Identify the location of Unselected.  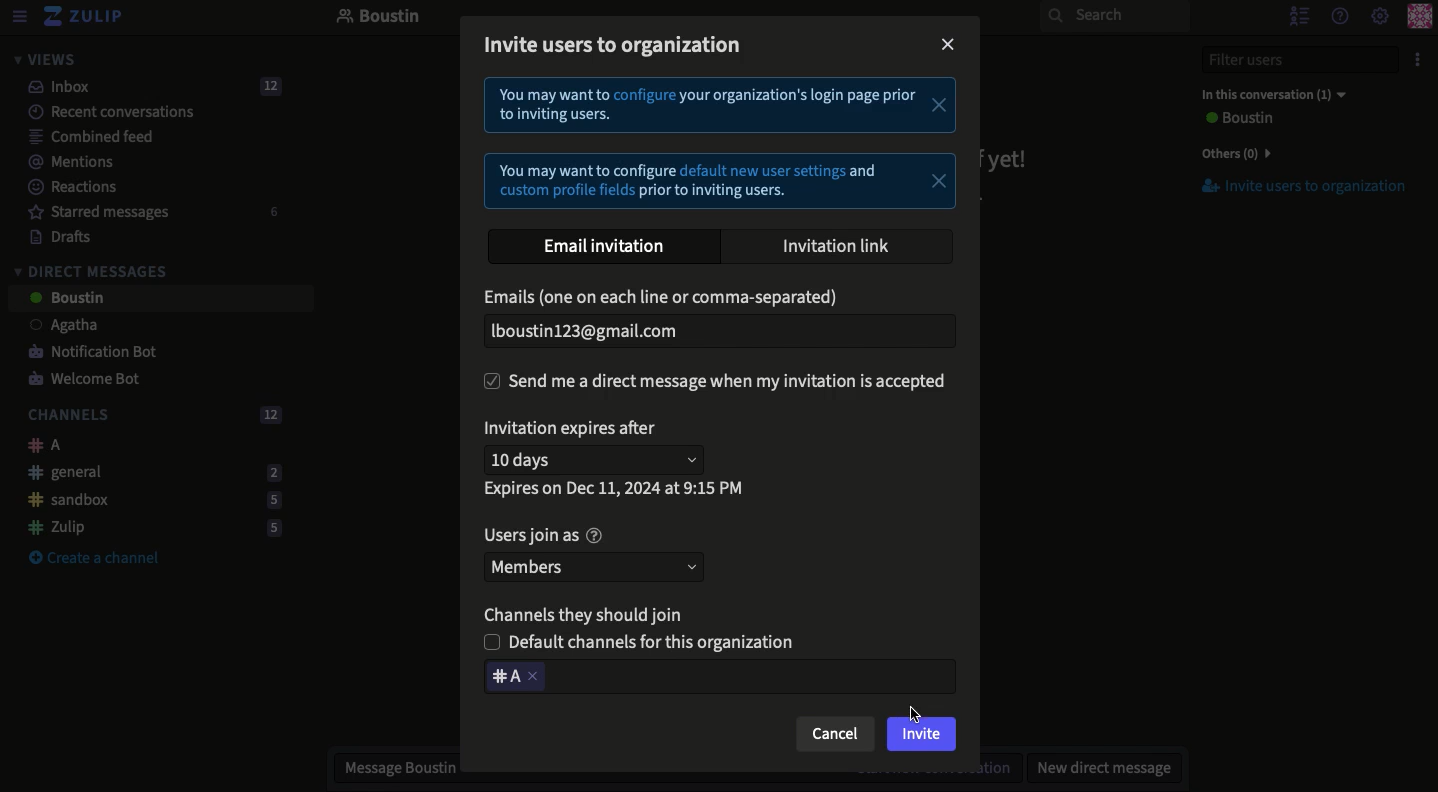
(647, 642).